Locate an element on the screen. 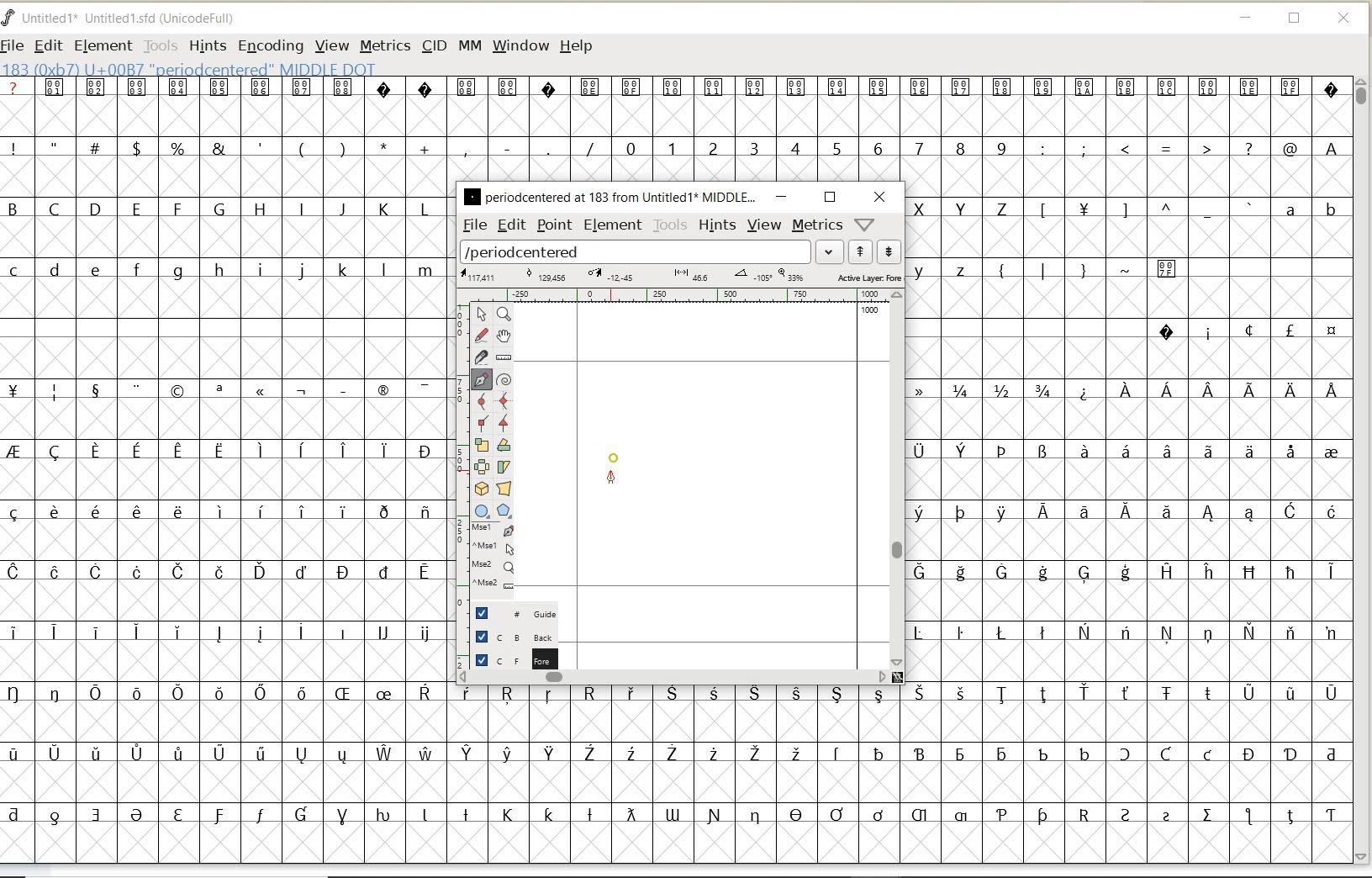 The height and width of the screenshot is (878, 1372). uppercase letters is located at coordinates (221, 209).